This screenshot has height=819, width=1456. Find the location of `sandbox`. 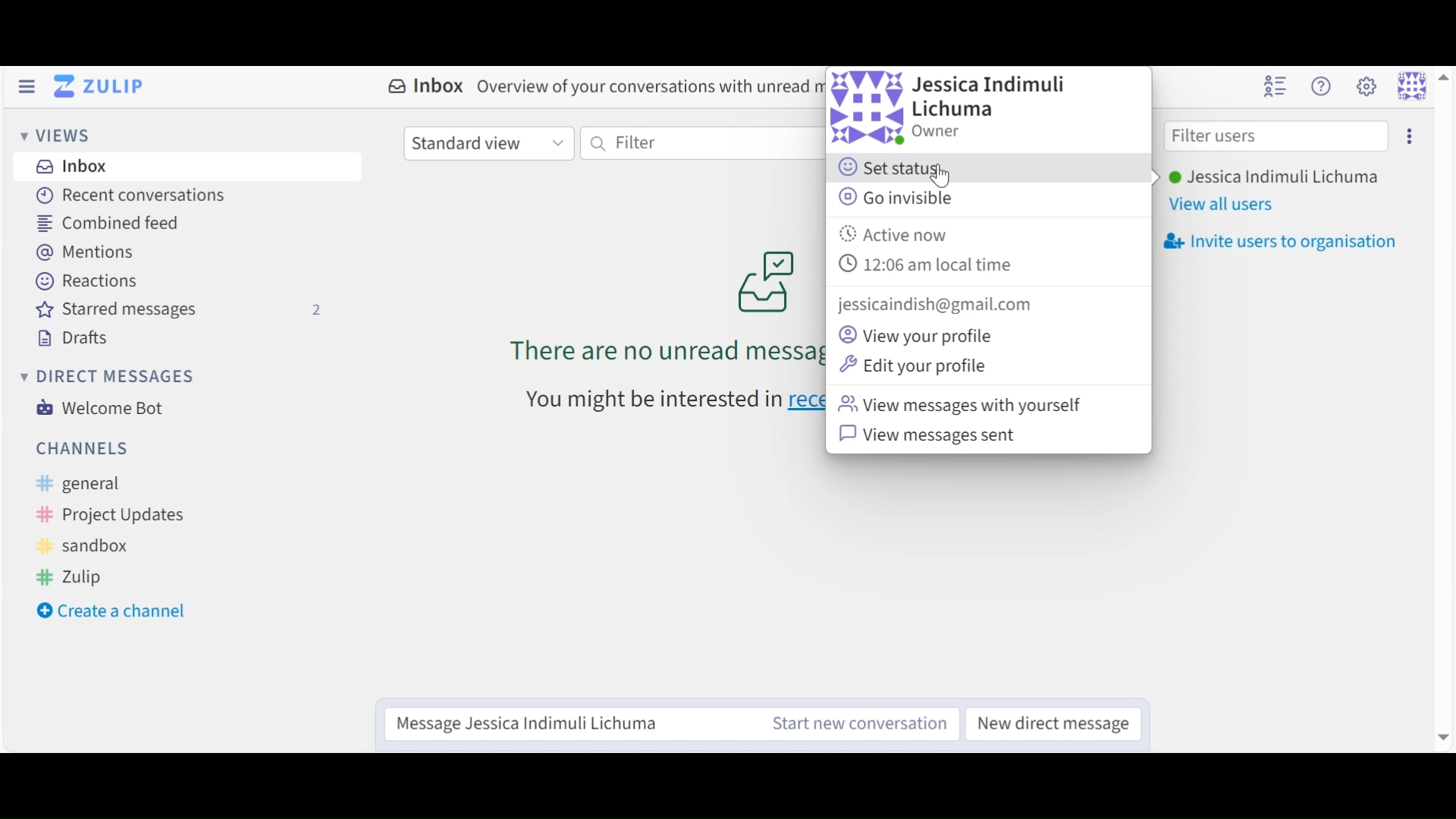

sandbox is located at coordinates (87, 547).